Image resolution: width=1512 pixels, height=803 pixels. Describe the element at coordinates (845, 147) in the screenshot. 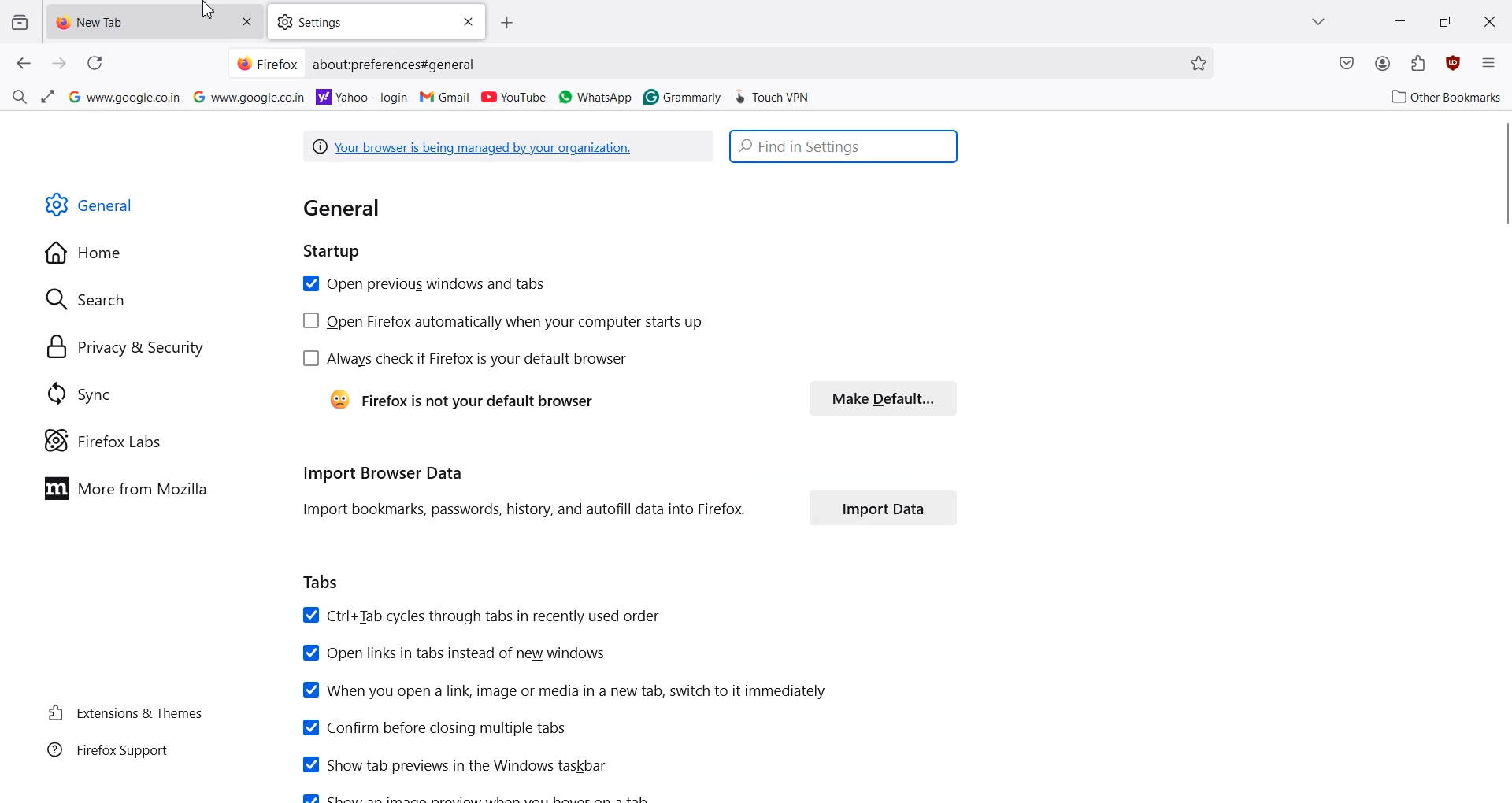

I see `Search bar` at that location.